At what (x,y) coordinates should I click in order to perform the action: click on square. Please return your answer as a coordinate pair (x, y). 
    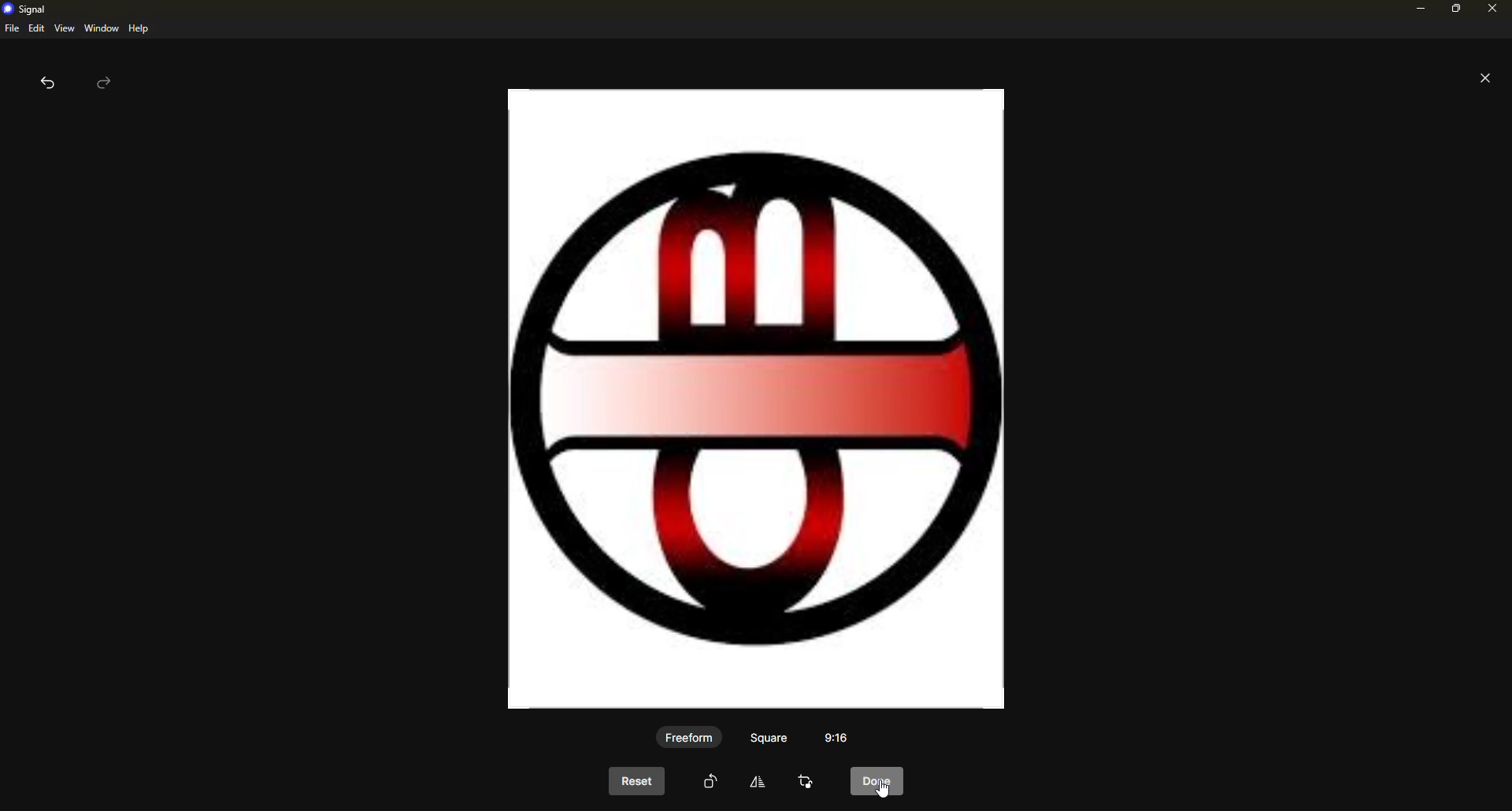
    Looking at the image, I should click on (770, 737).